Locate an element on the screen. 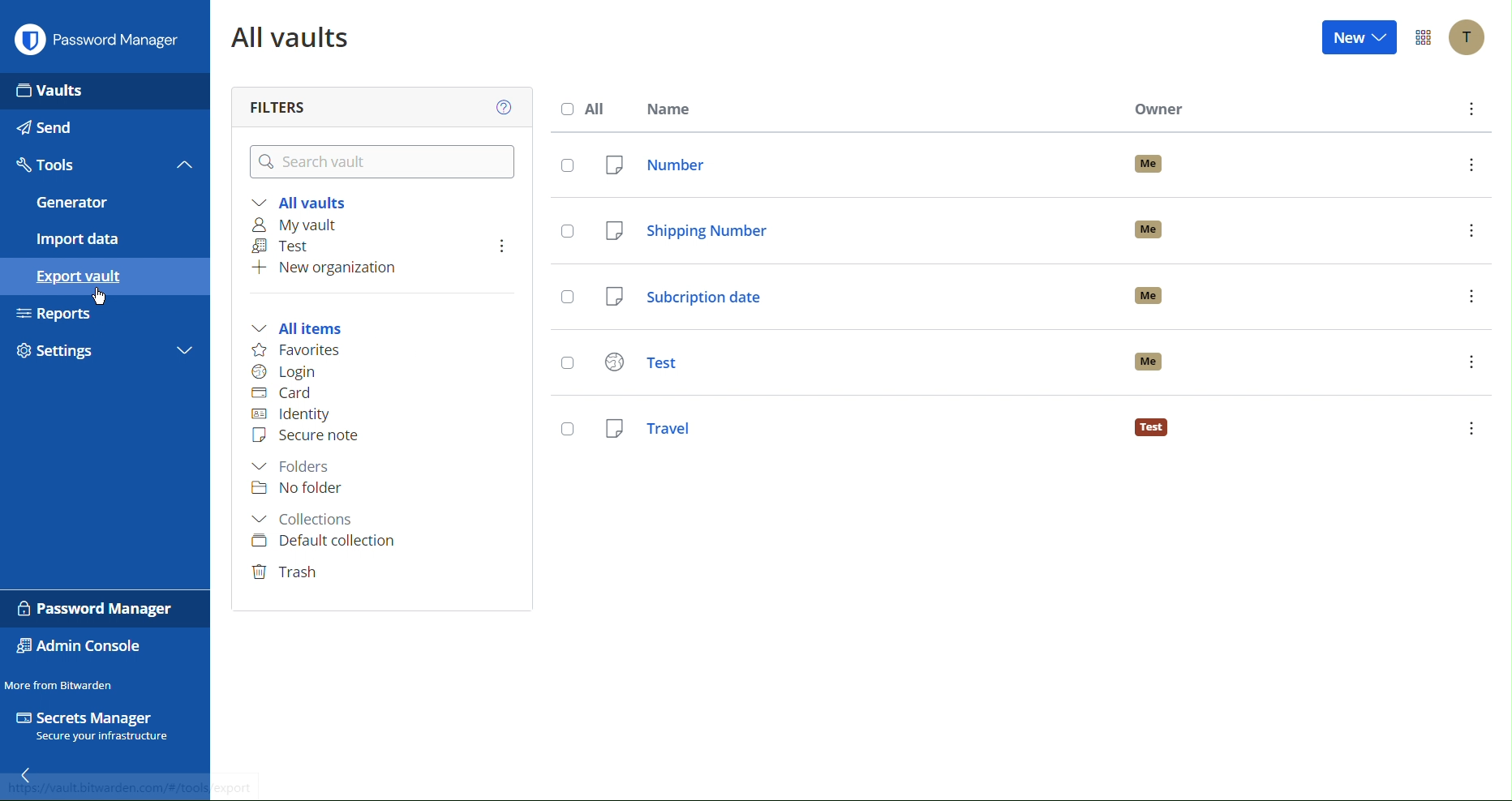  More  is located at coordinates (184, 349).